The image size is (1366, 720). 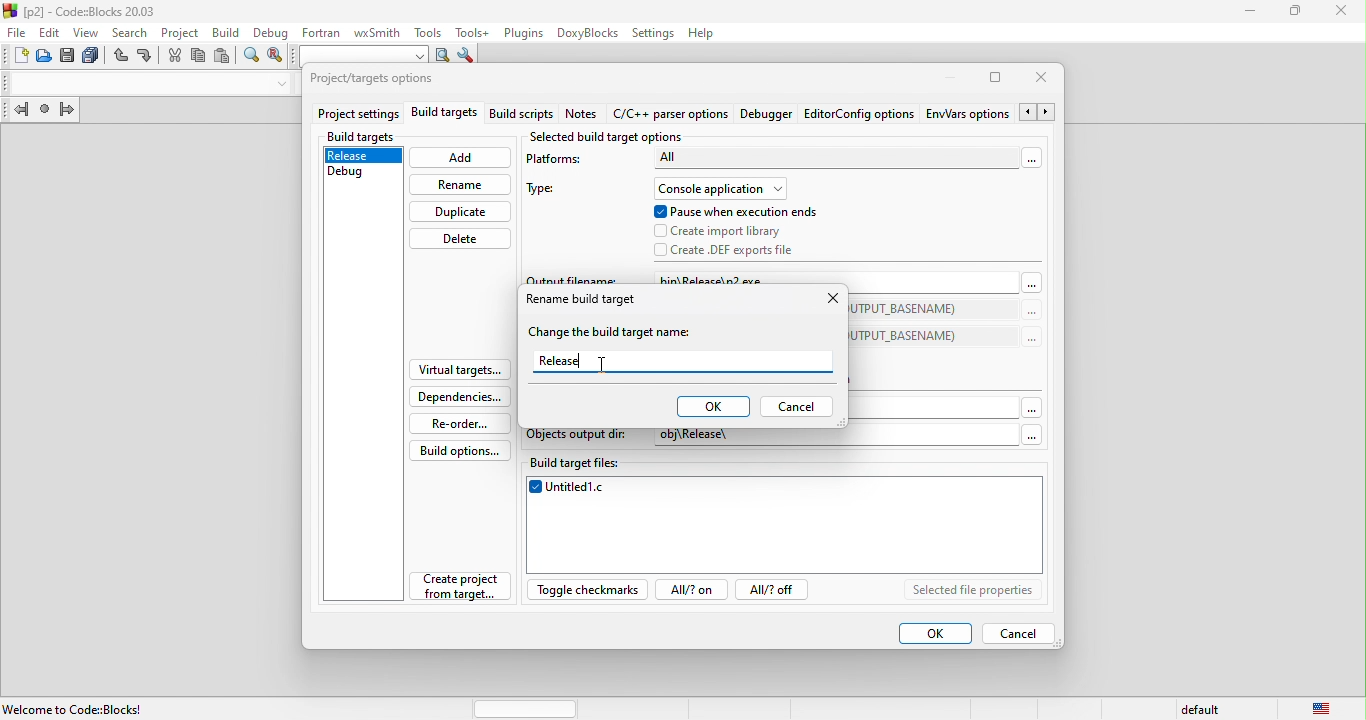 What do you see at coordinates (1251, 12) in the screenshot?
I see `minimize` at bounding box center [1251, 12].